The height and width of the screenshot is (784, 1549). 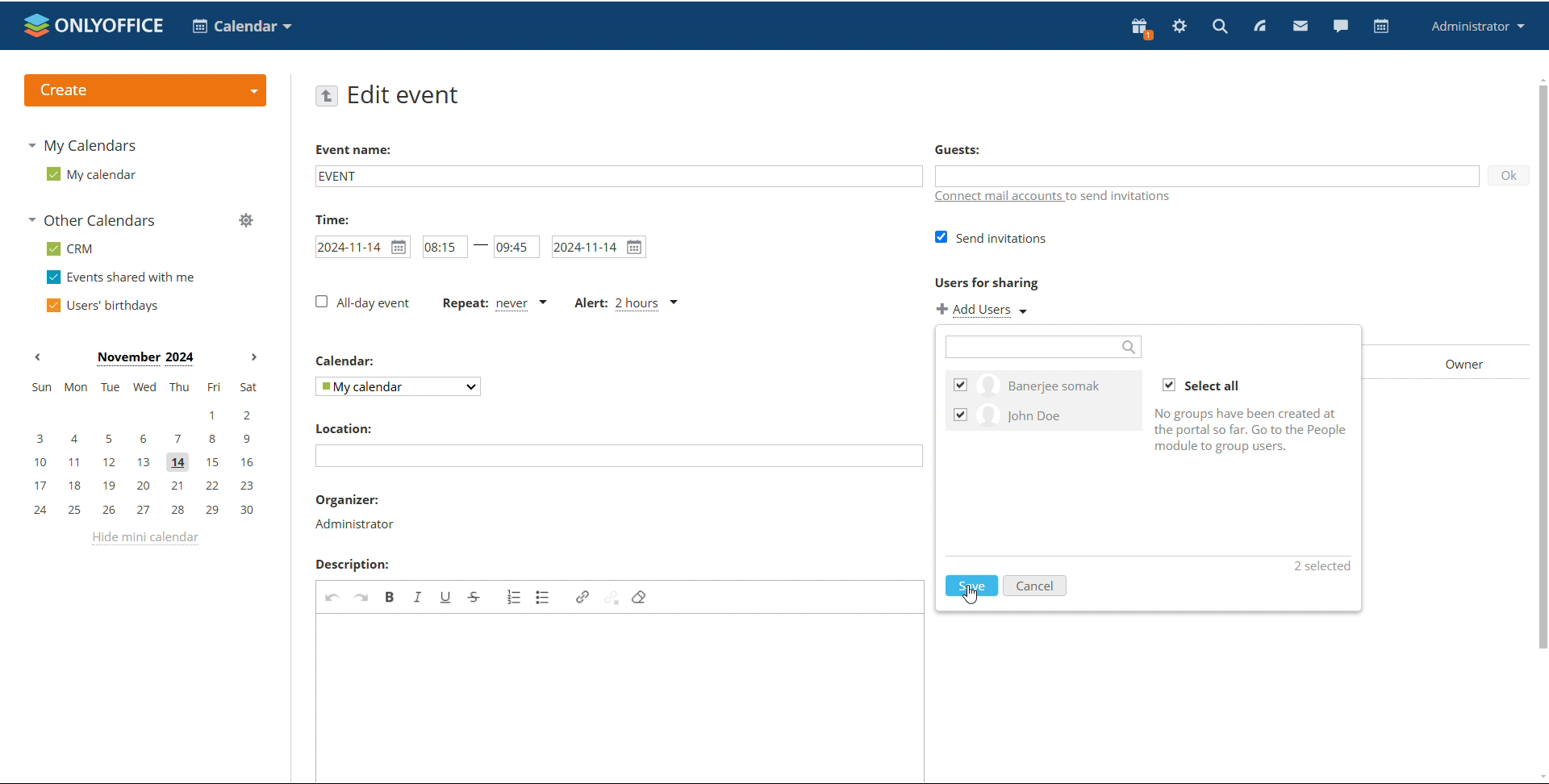 I want to click on scroll down, so click(x=1539, y=775).